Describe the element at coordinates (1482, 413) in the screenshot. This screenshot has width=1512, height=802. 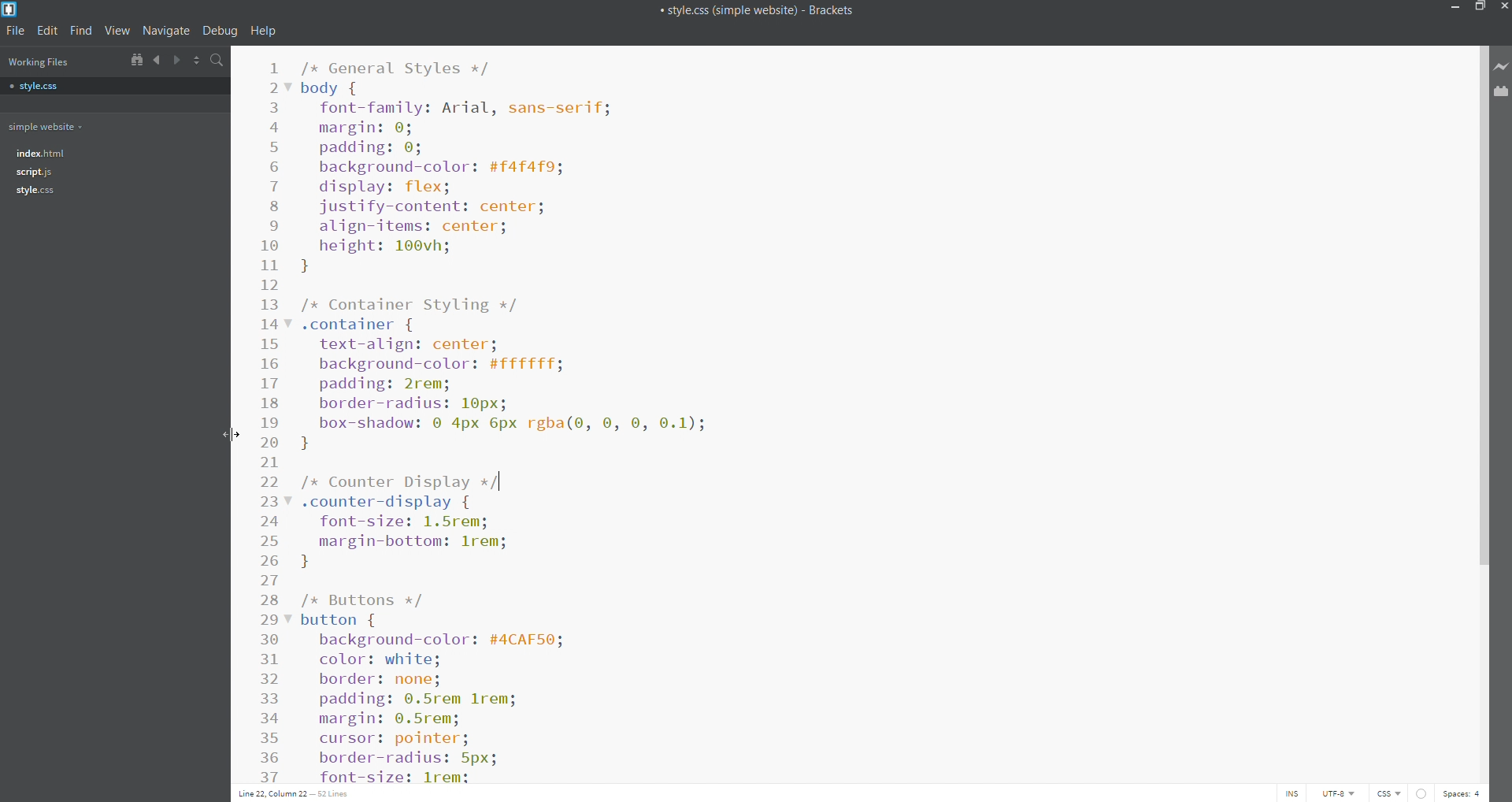
I see `scroll bar` at that location.